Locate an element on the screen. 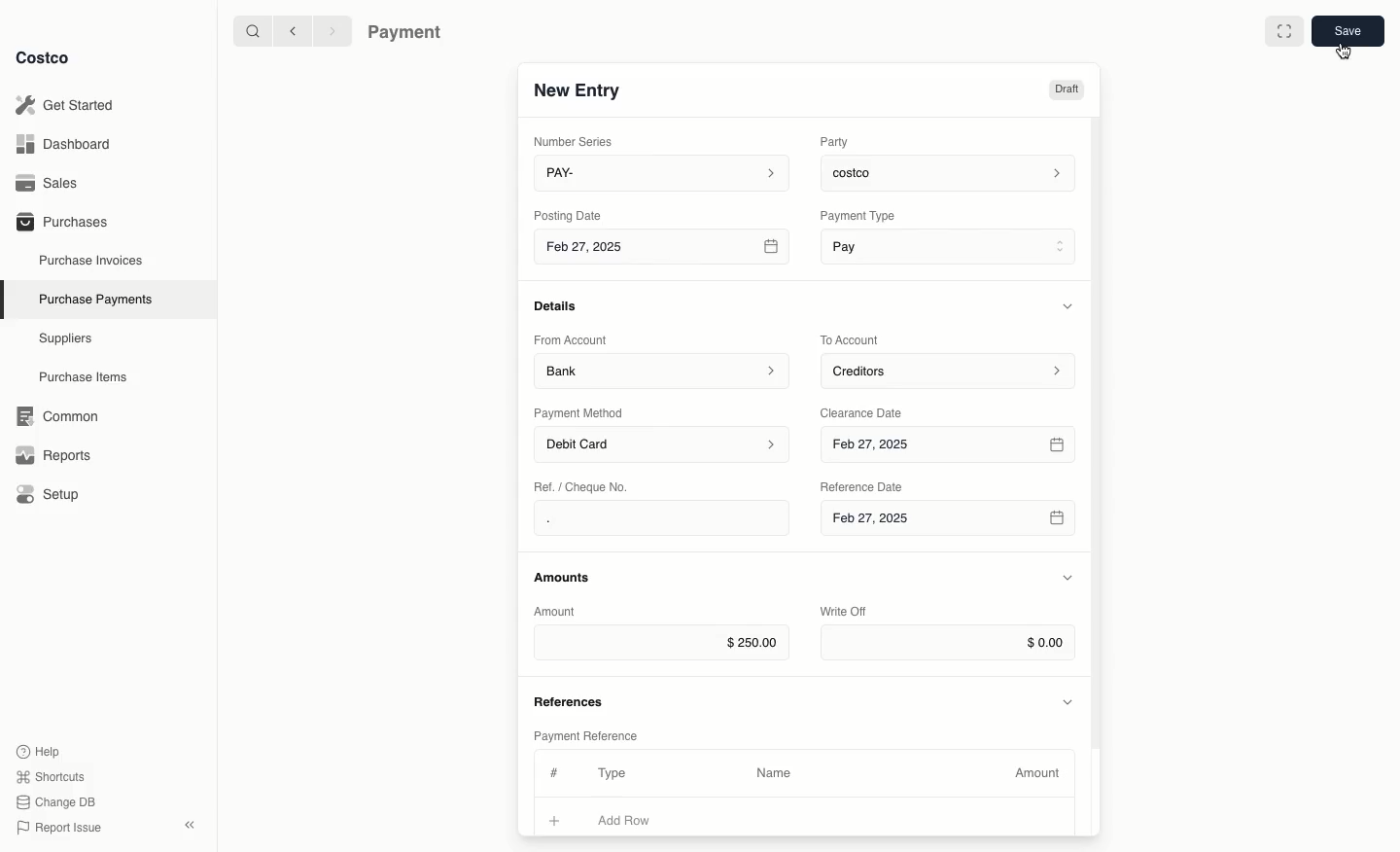  Purchase Items is located at coordinates (86, 377).